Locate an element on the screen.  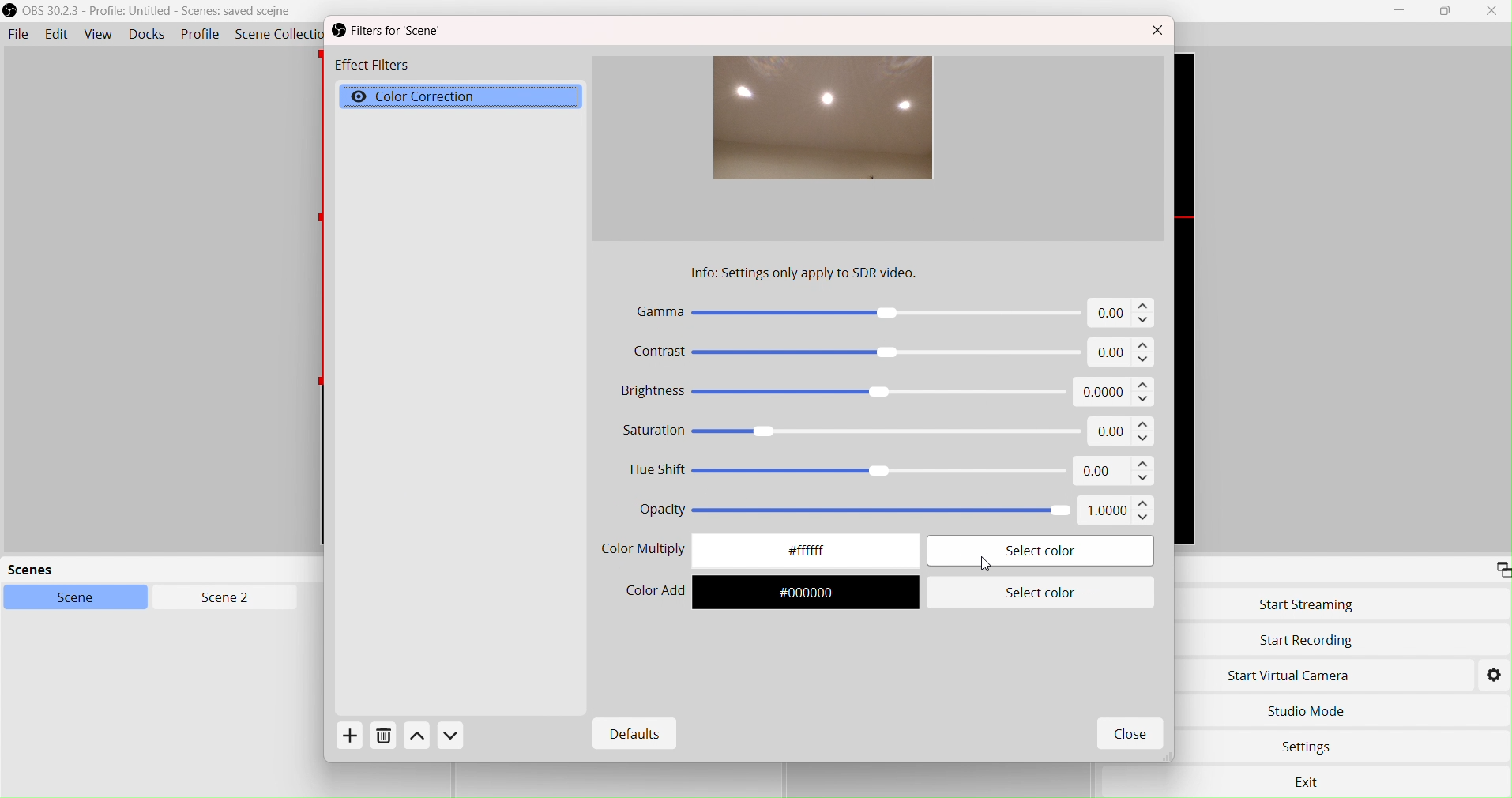
Close is located at coordinates (1161, 31).